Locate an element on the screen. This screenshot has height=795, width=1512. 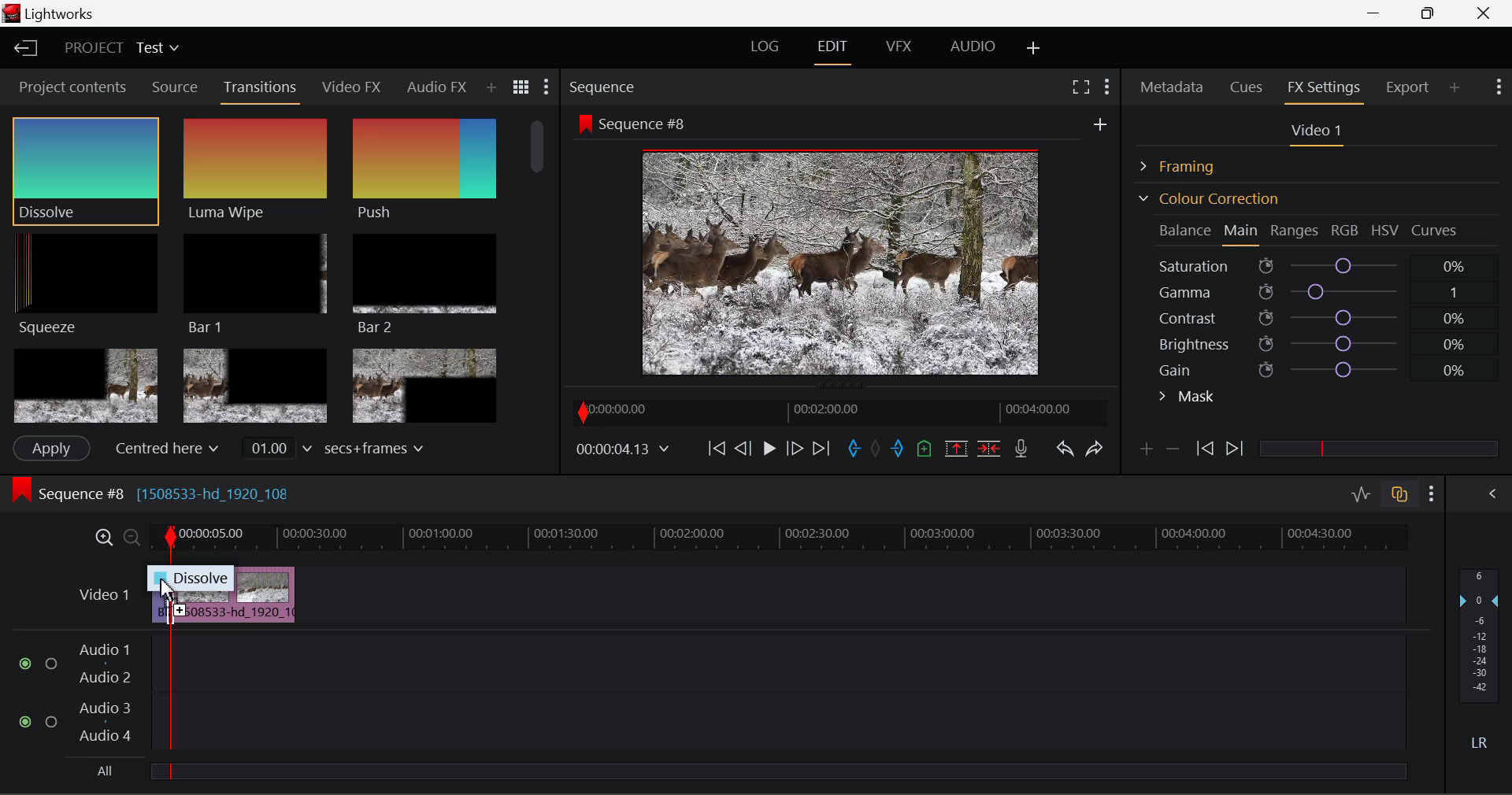
Add keyframe is located at coordinates (1143, 452).